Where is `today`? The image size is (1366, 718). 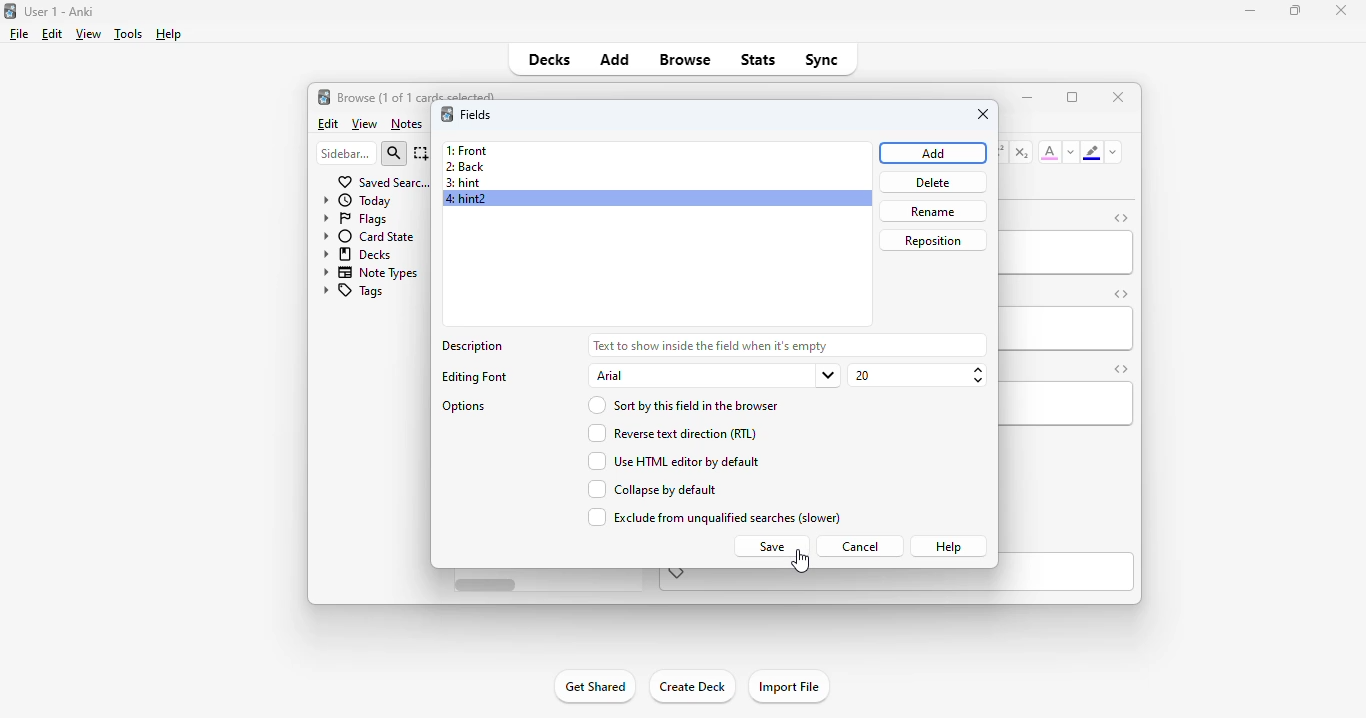
today is located at coordinates (357, 200).